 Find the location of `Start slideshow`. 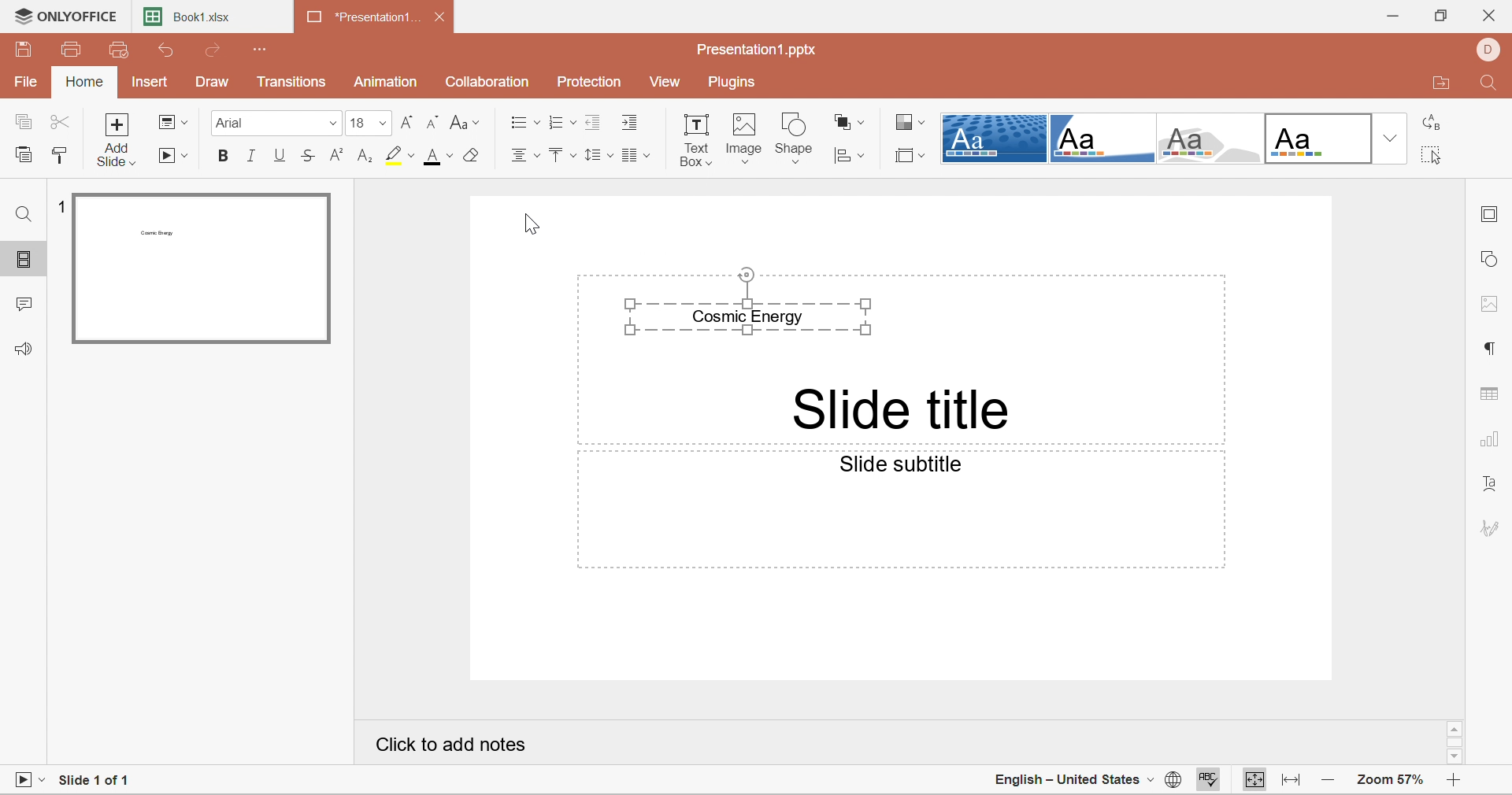

Start slideshow is located at coordinates (176, 157).